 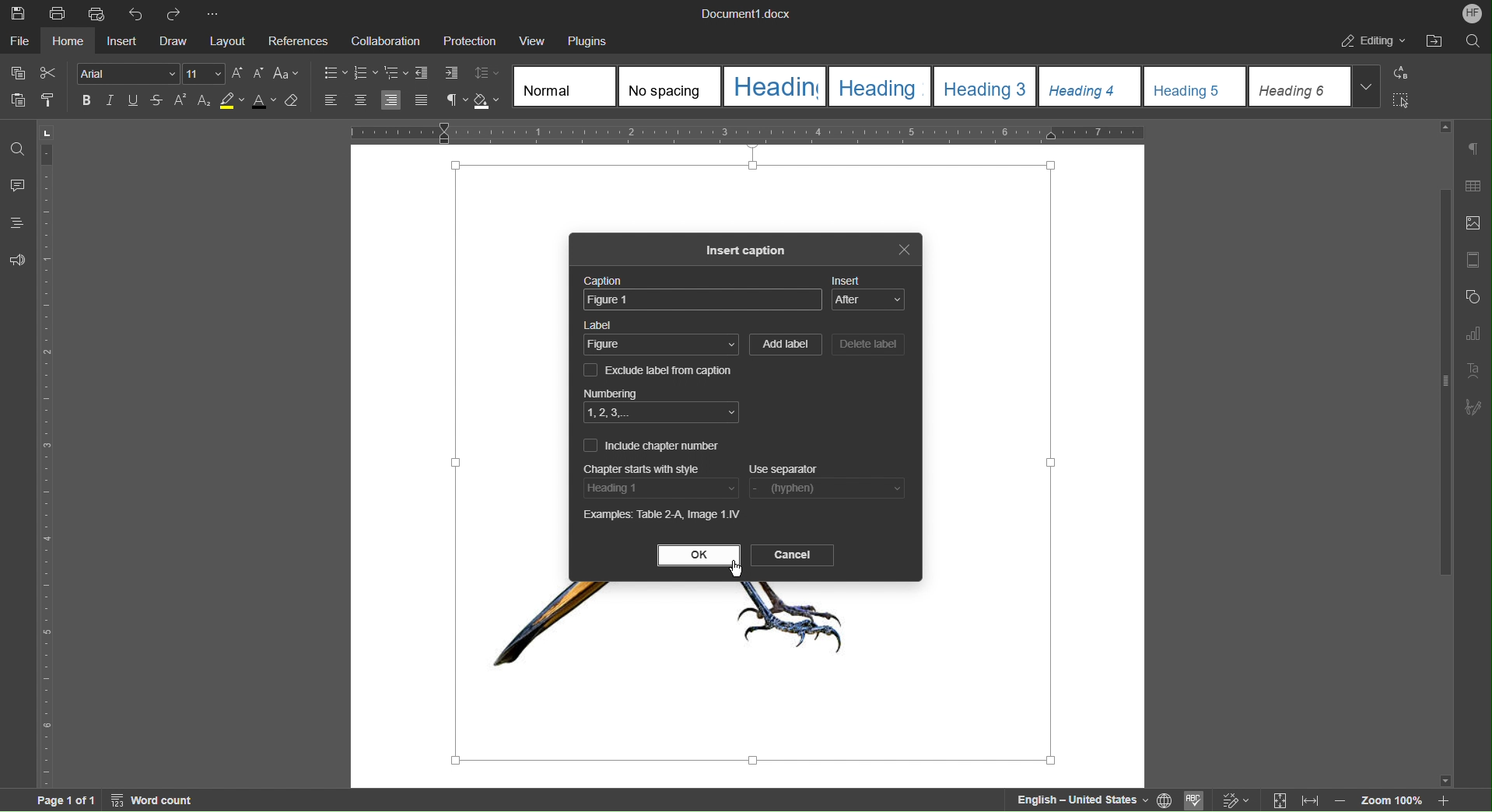 I want to click on Decrease Font Size, so click(x=258, y=73).